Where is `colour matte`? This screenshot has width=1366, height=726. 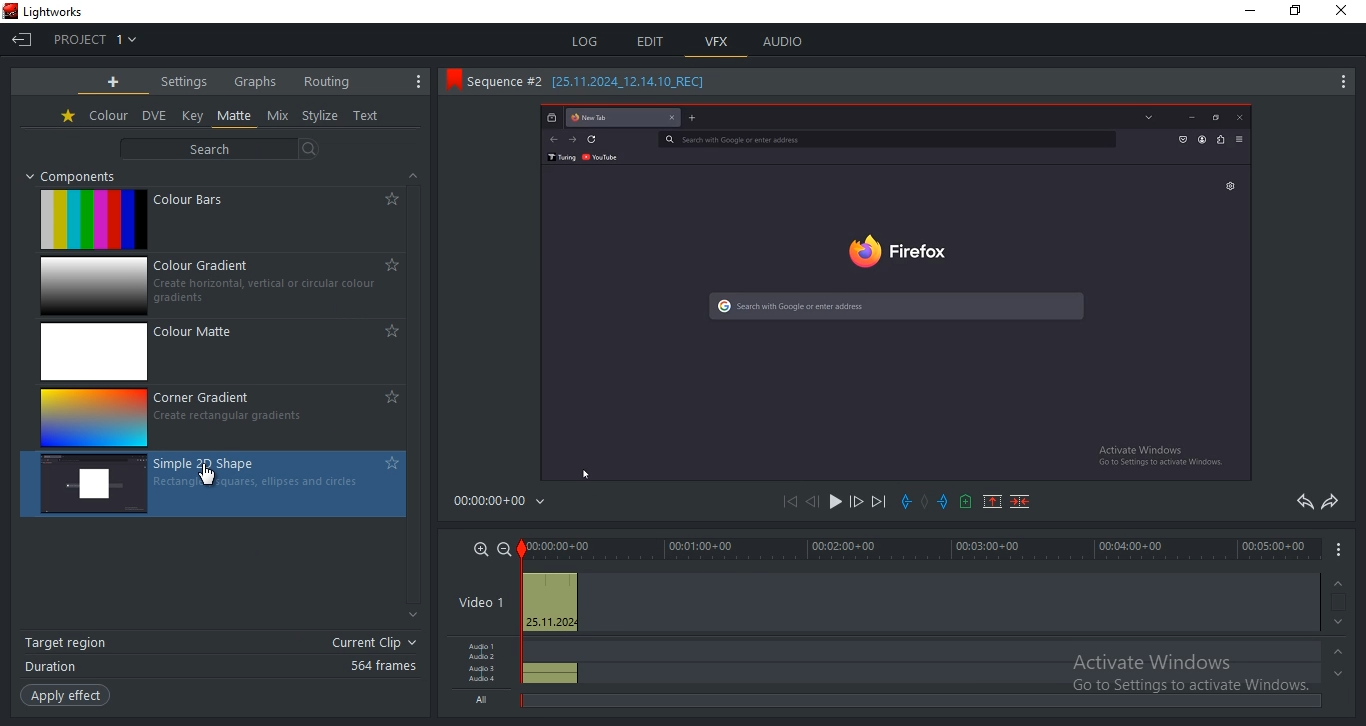 colour matte is located at coordinates (225, 352).